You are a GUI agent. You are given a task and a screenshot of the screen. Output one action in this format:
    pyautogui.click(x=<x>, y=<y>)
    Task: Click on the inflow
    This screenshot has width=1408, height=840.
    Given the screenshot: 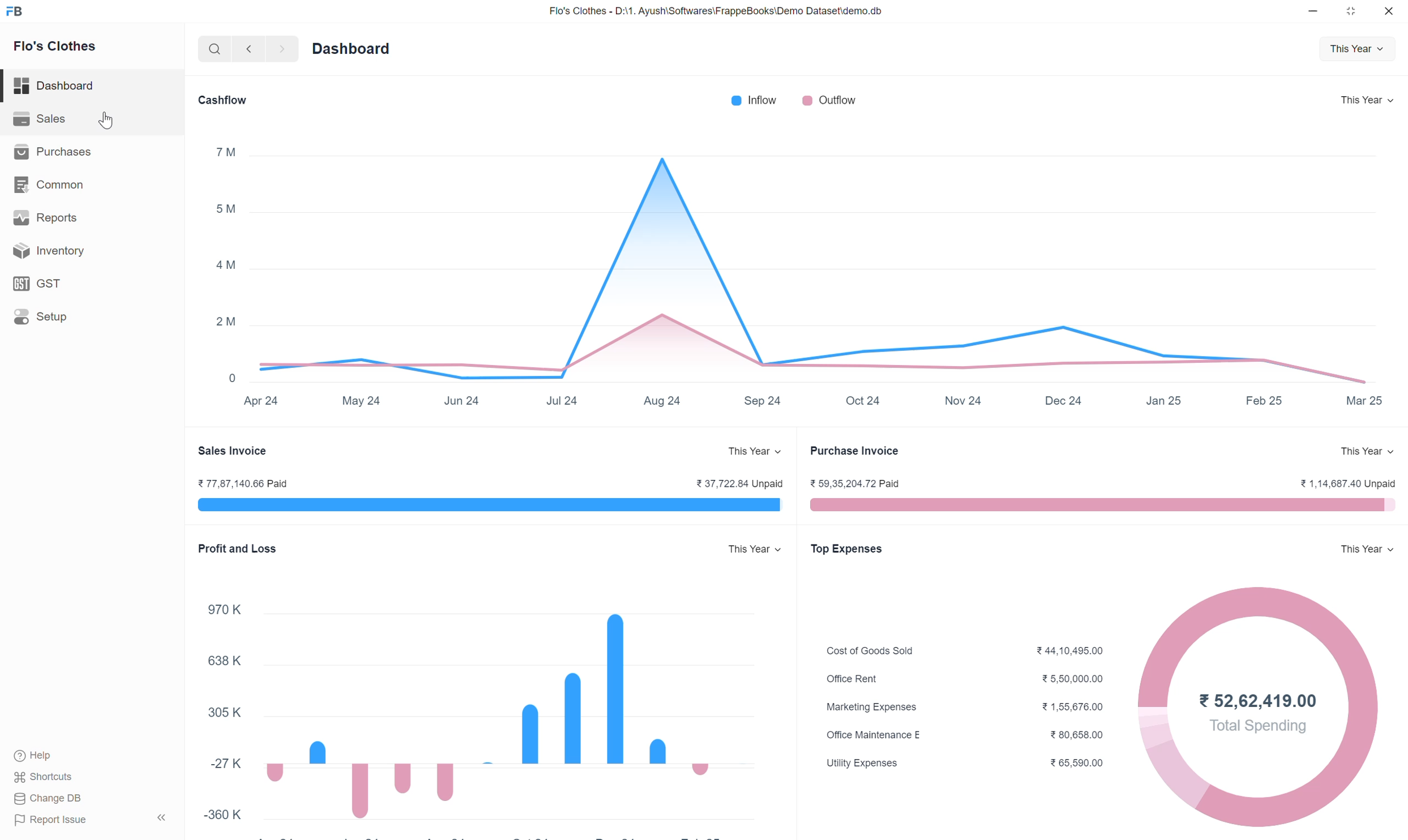 What is the action you would take?
    pyautogui.click(x=750, y=101)
    